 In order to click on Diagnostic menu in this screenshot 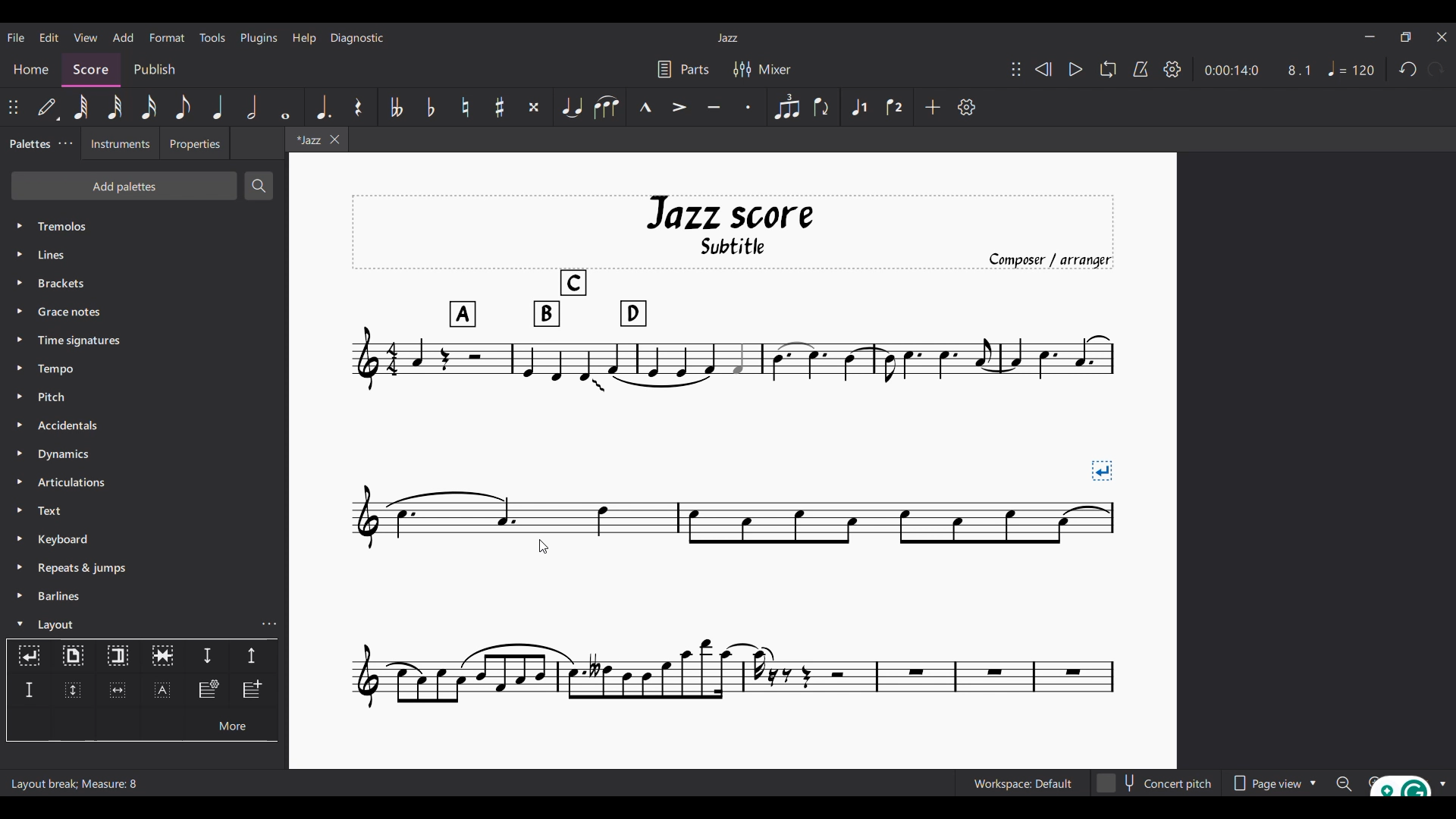, I will do `click(357, 38)`.